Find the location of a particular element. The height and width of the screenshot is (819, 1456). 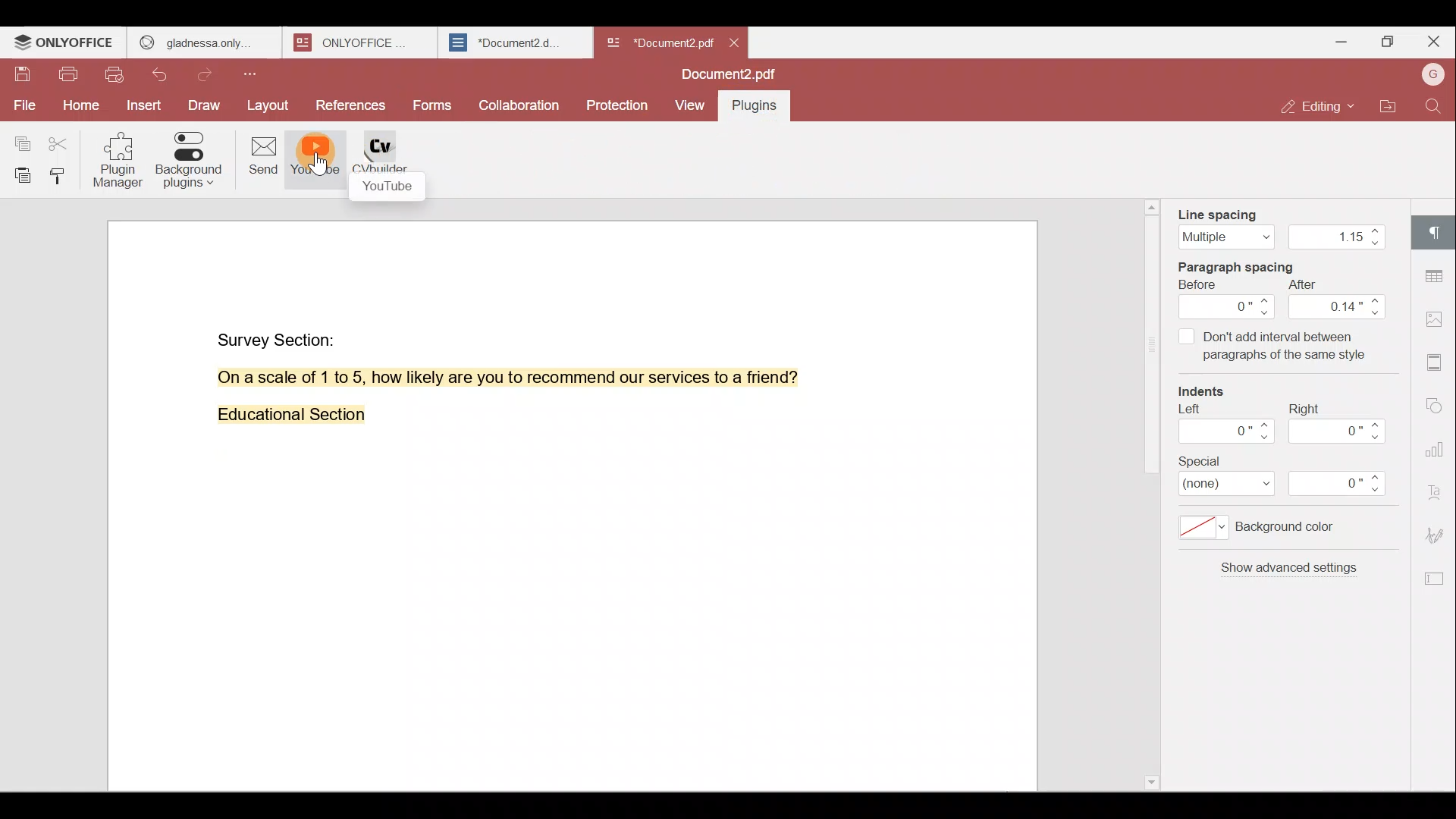

Protection is located at coordinates (620, 101).